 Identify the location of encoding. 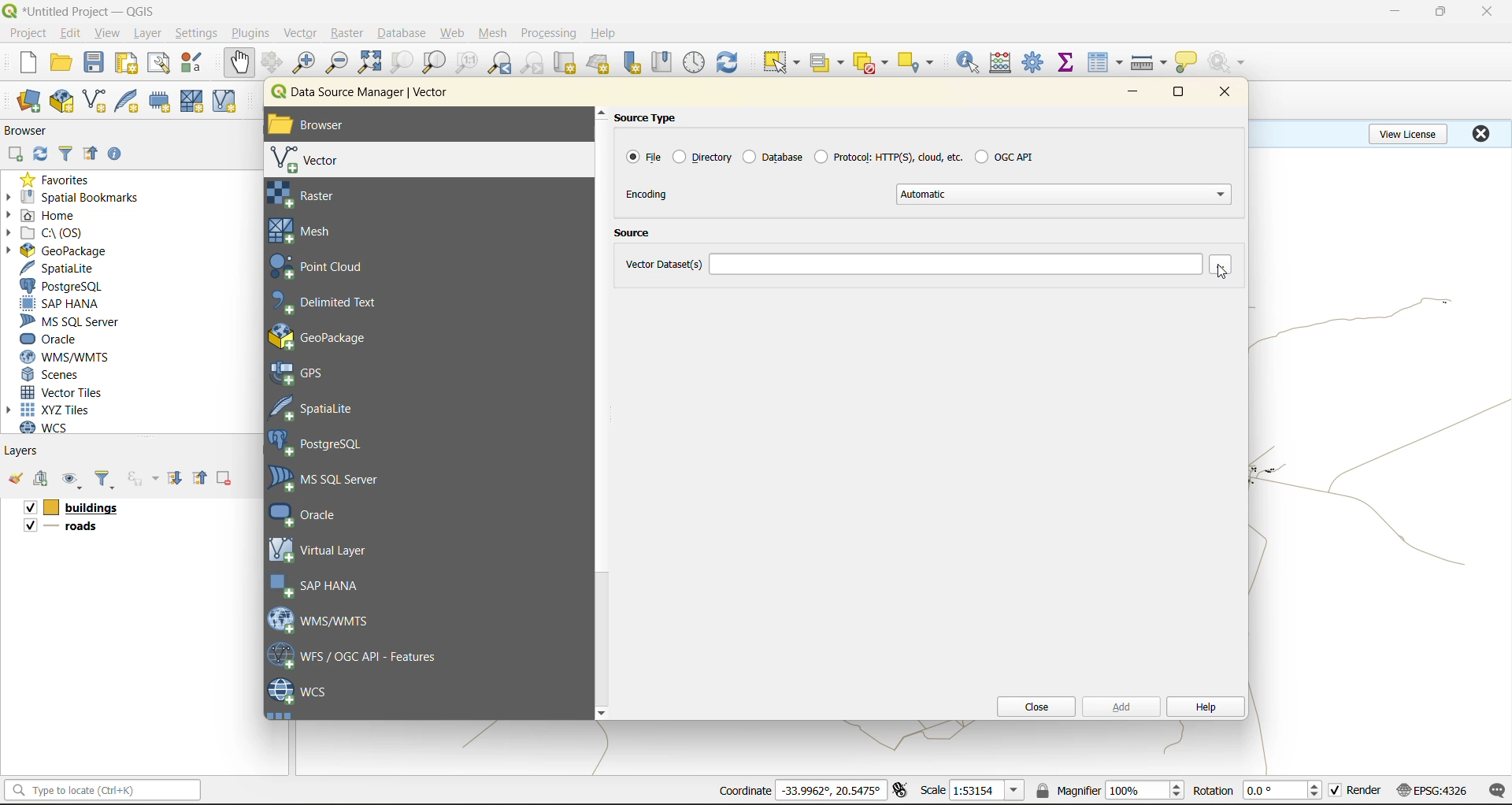
(649, 194).